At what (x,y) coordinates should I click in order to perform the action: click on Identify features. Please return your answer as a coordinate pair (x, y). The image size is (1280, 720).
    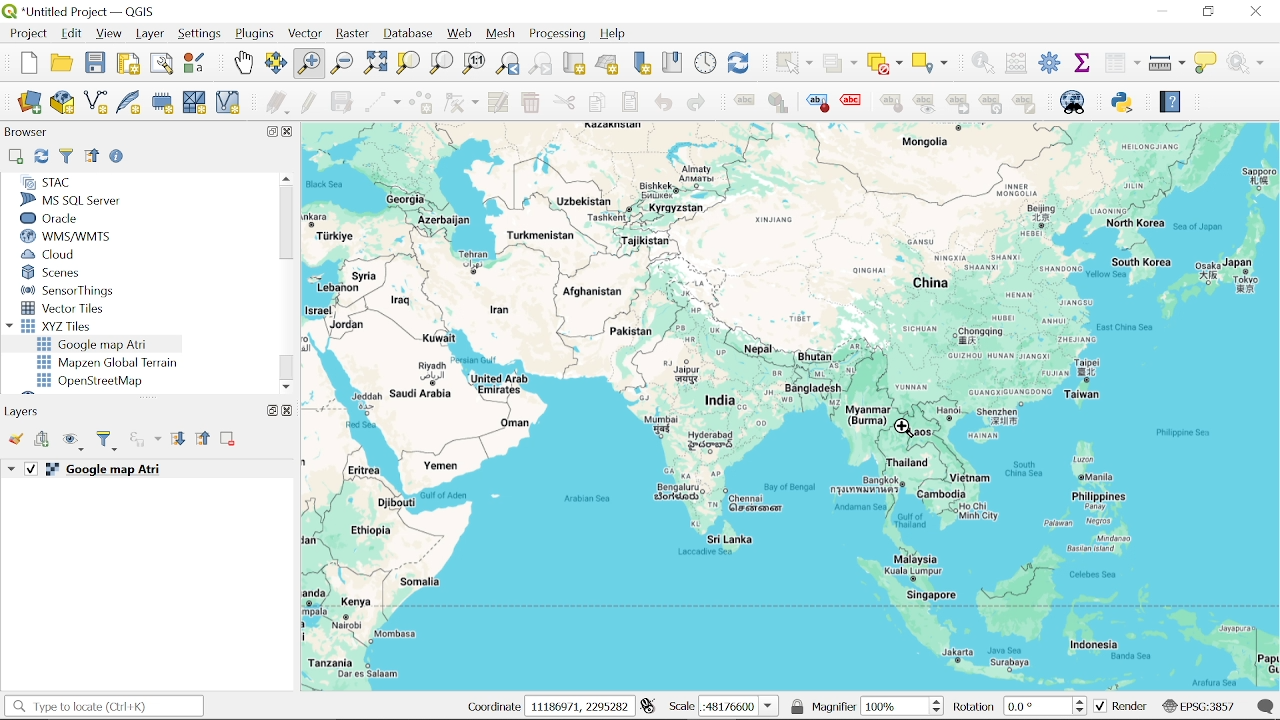
    Looking at the image, I should click on (979, 62).